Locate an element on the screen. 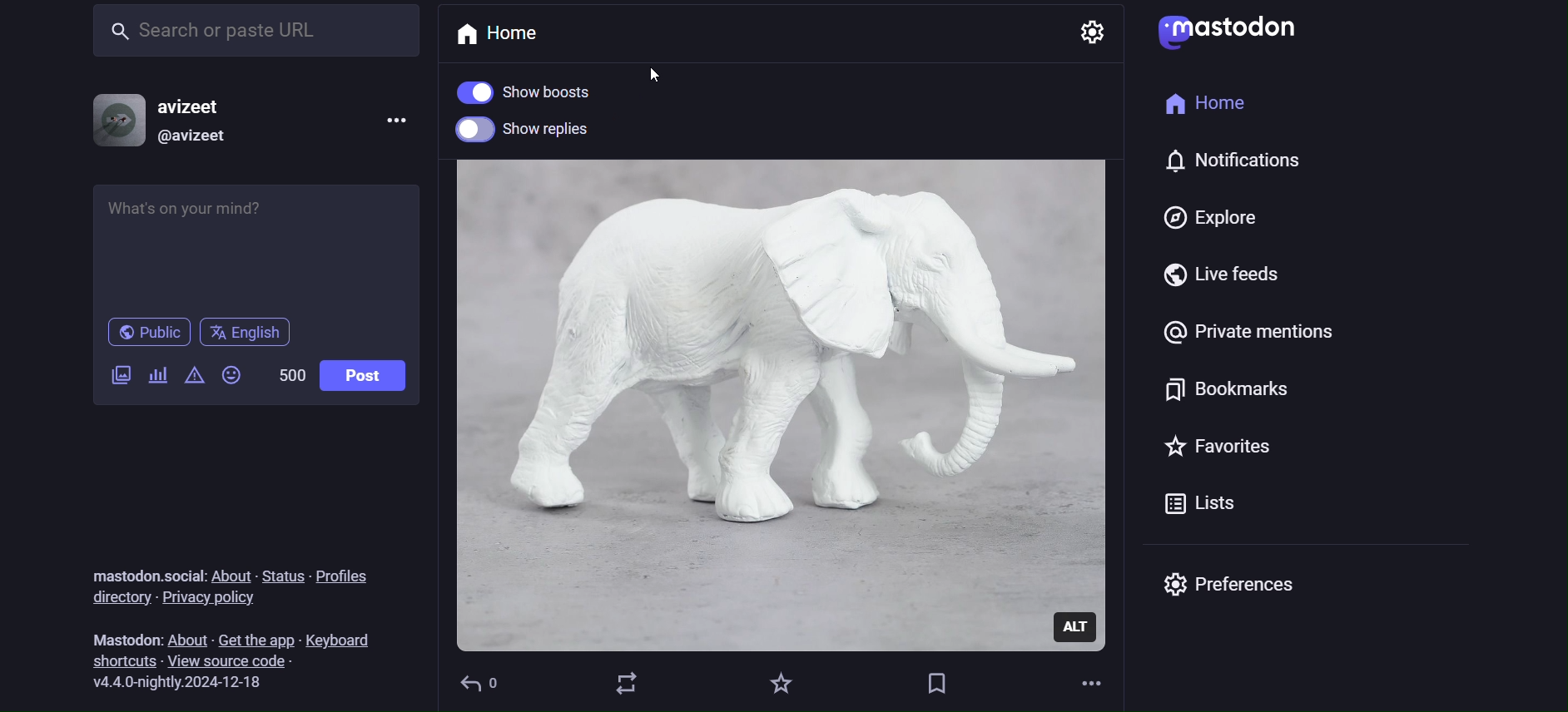 This screenshot has width=1568, height=712. explore is located at coordinates (1208, 218).